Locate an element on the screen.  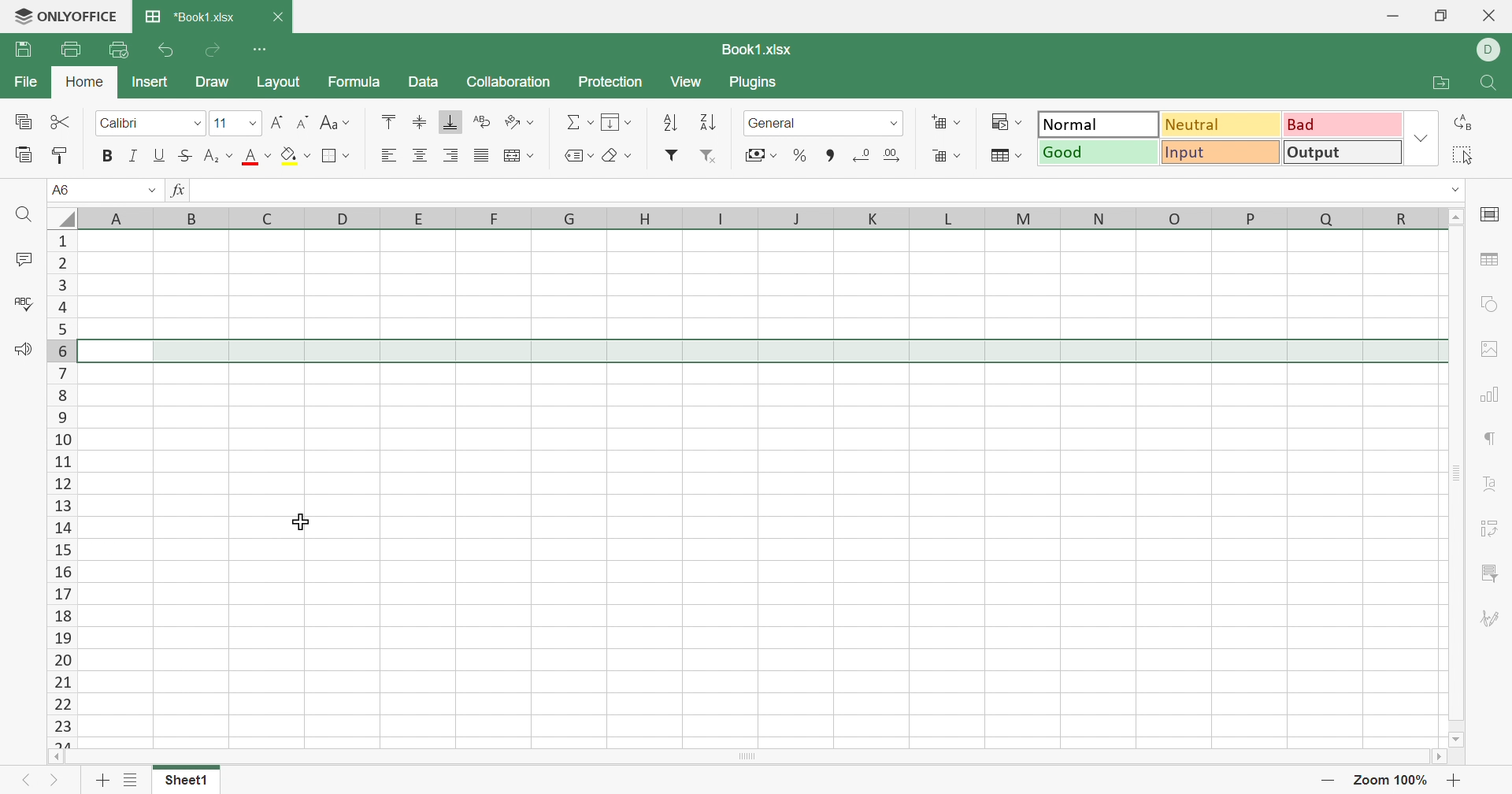
Drop Down is located at coordinates (196, 124).